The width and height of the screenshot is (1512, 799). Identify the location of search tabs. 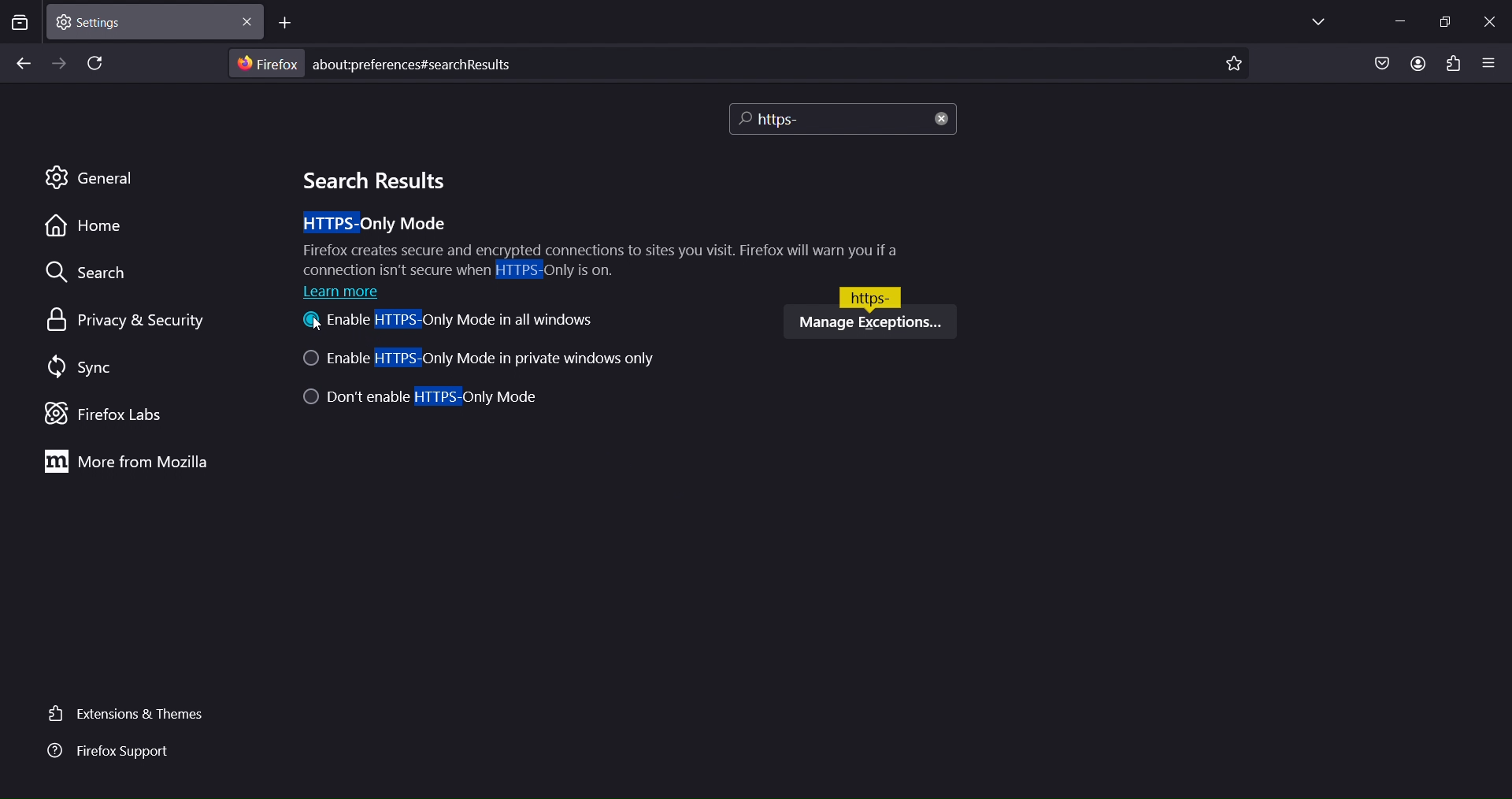
(20, 24).